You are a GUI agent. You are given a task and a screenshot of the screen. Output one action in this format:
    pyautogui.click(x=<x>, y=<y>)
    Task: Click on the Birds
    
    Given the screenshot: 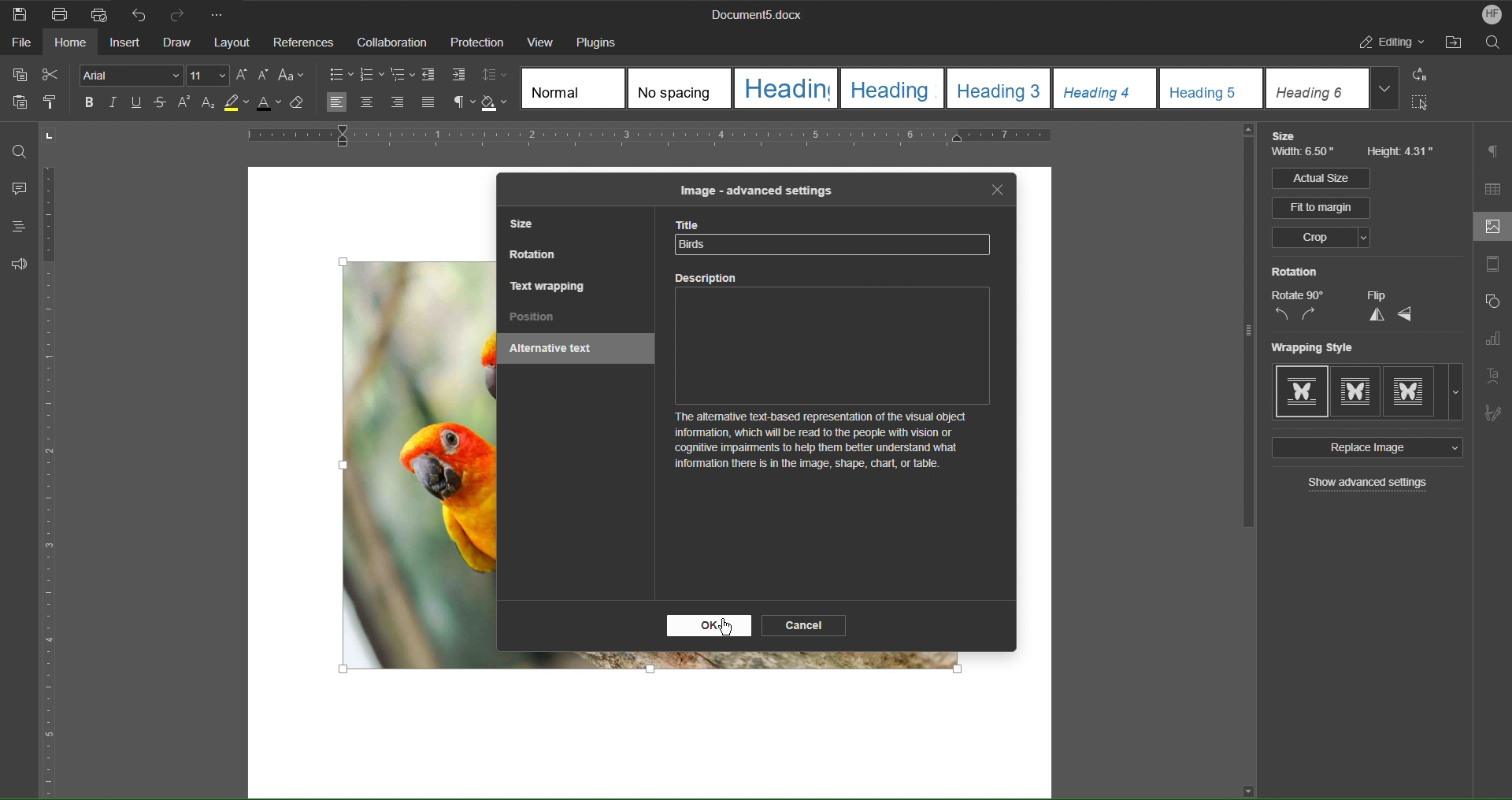 What is the action you would take?
    pyautogui.click(x=697, y=243)
    